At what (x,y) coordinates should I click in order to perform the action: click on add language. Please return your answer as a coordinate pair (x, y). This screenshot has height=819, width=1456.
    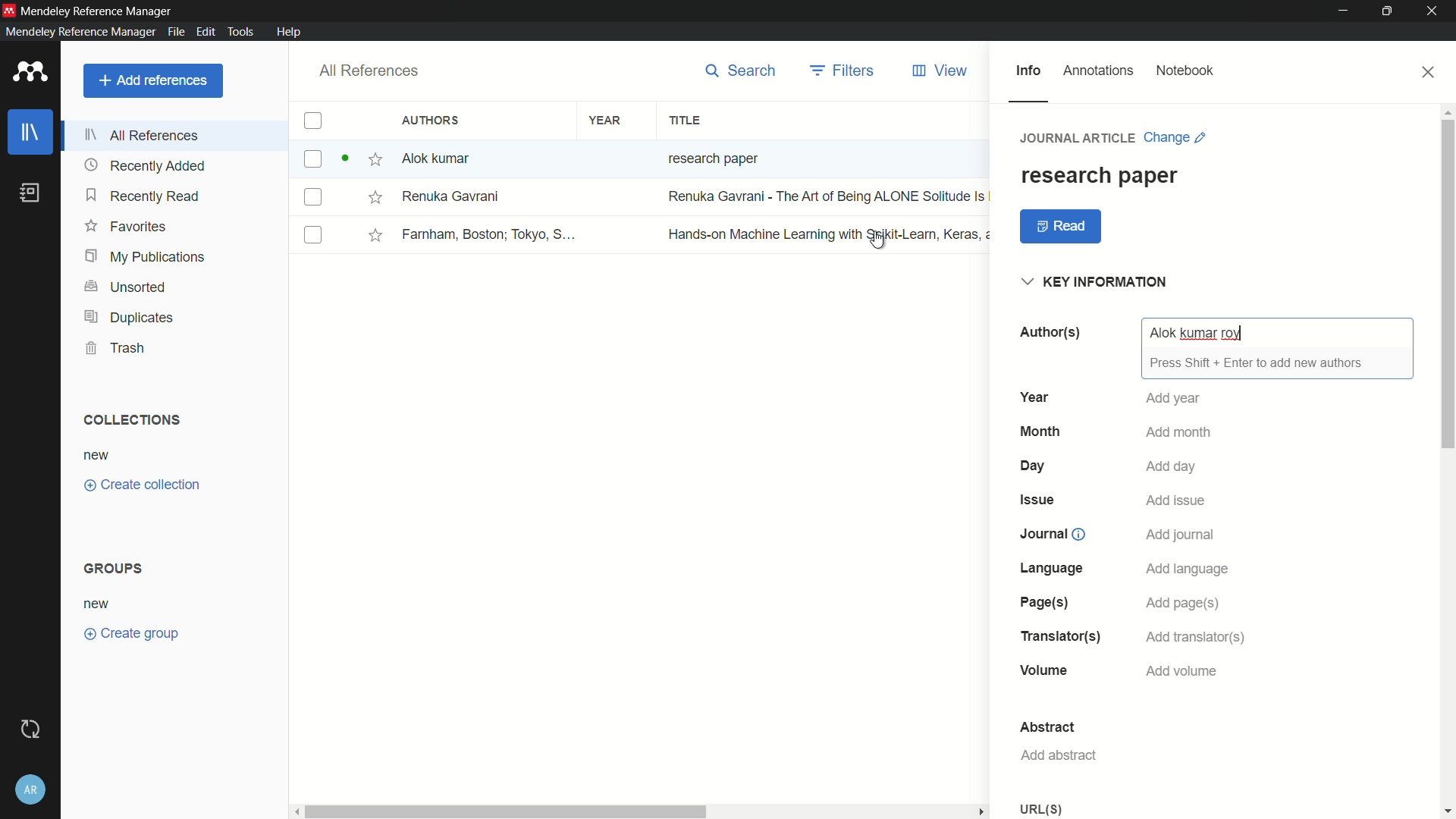
    Looking at the image, I should click on (1188, 568).